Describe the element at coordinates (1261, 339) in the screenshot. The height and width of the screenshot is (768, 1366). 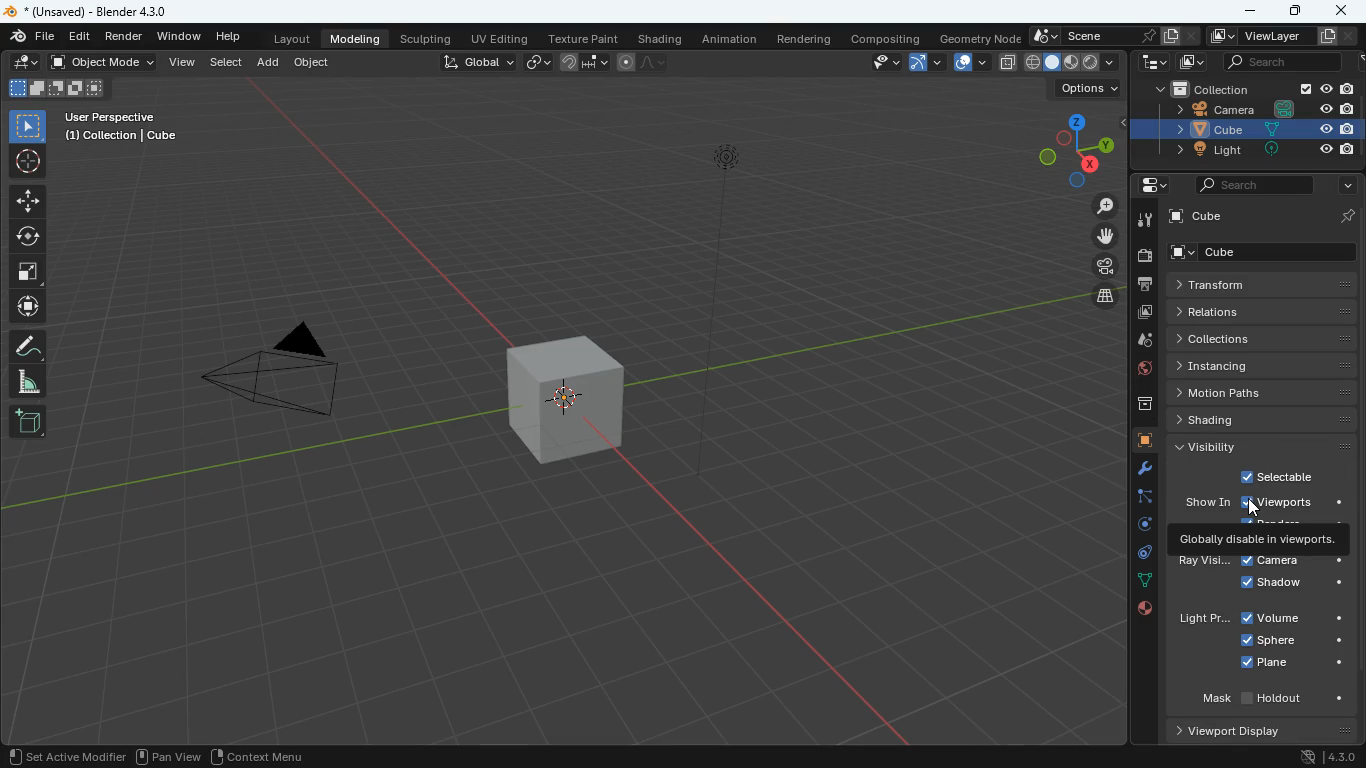
I see `collections` at that location.